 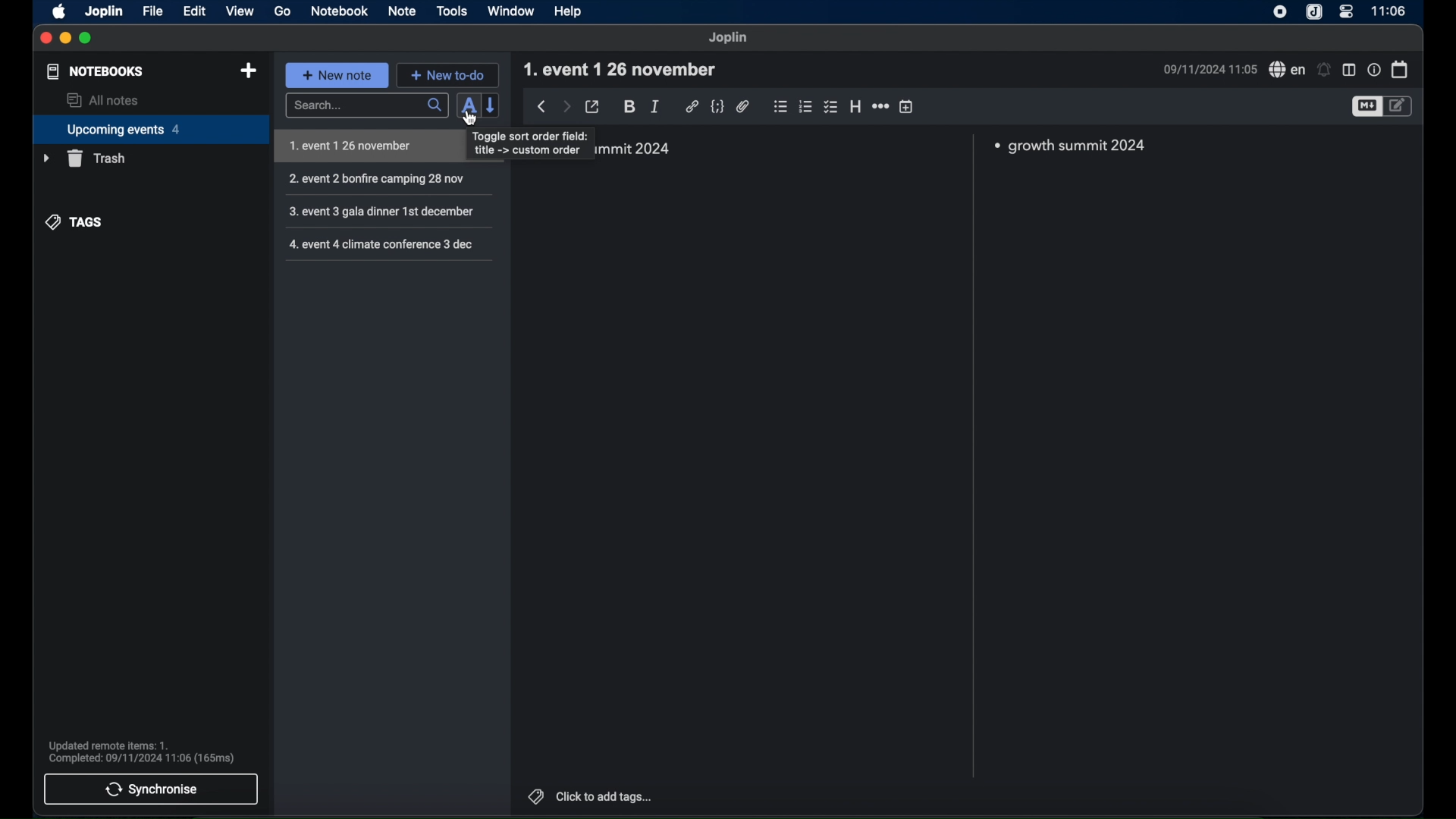 What do you see at coordinates (629, 107) in the screenshot?
I see `bold` at bounding box center [629, 107].